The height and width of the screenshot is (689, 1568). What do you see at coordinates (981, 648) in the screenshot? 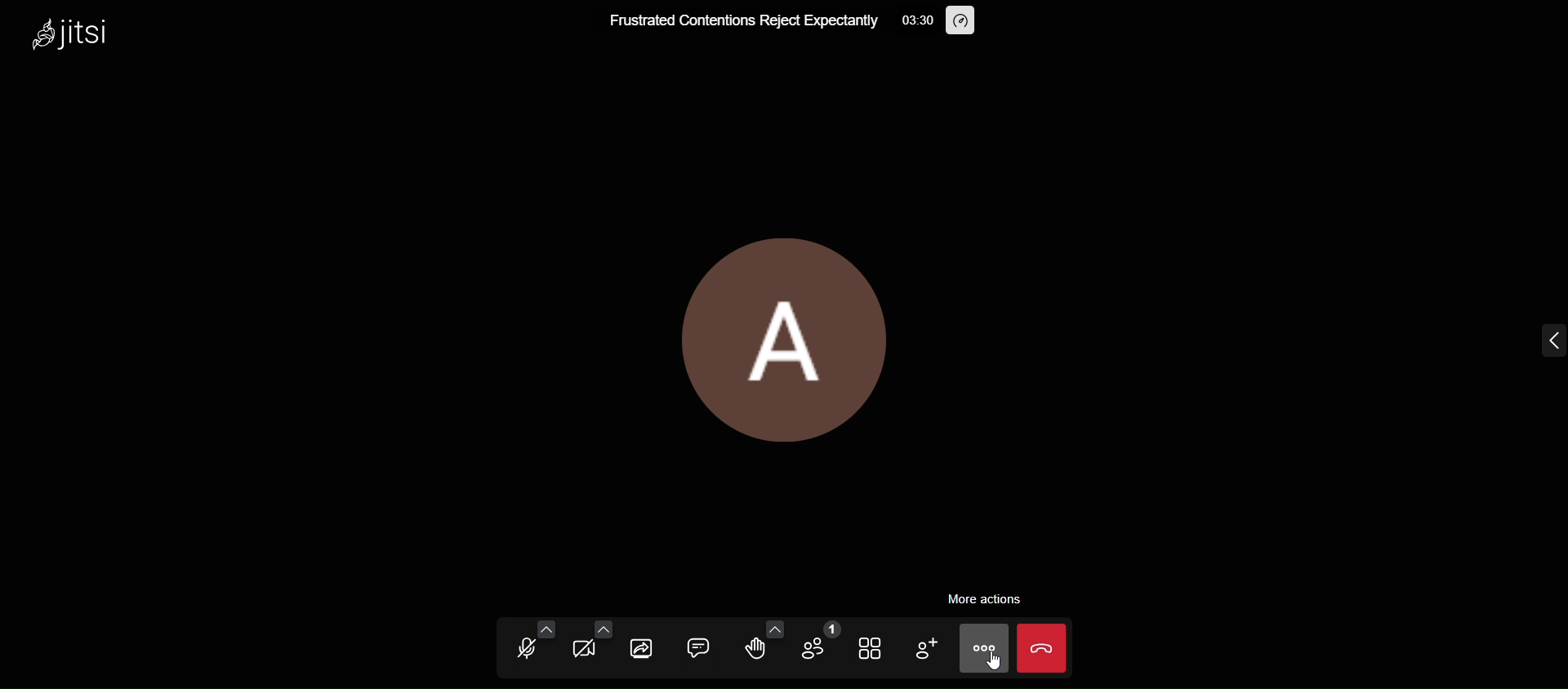
I see `more actions` at bounding box center [981, 648].